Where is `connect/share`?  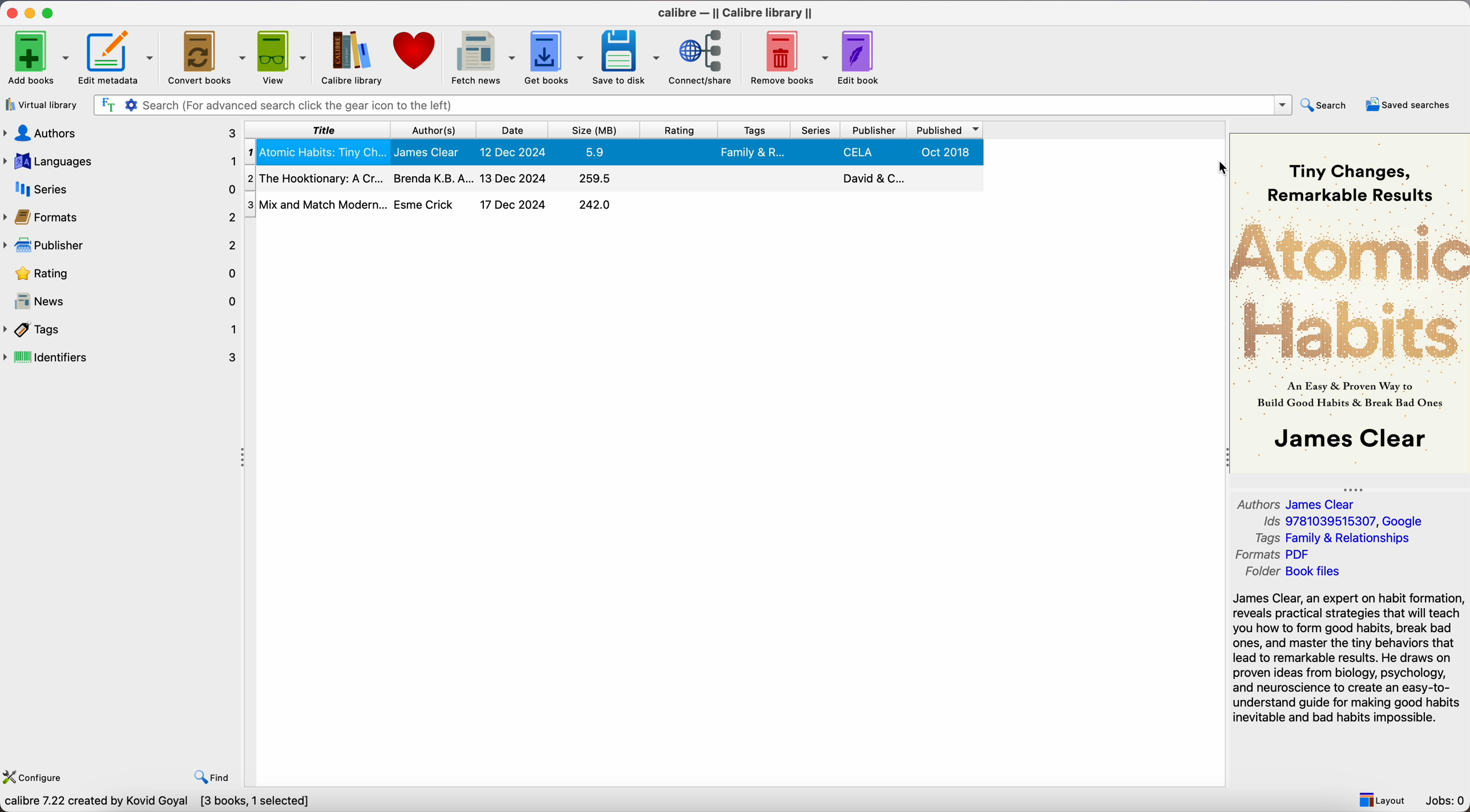 connect/share is located at coordinates (705, 57).